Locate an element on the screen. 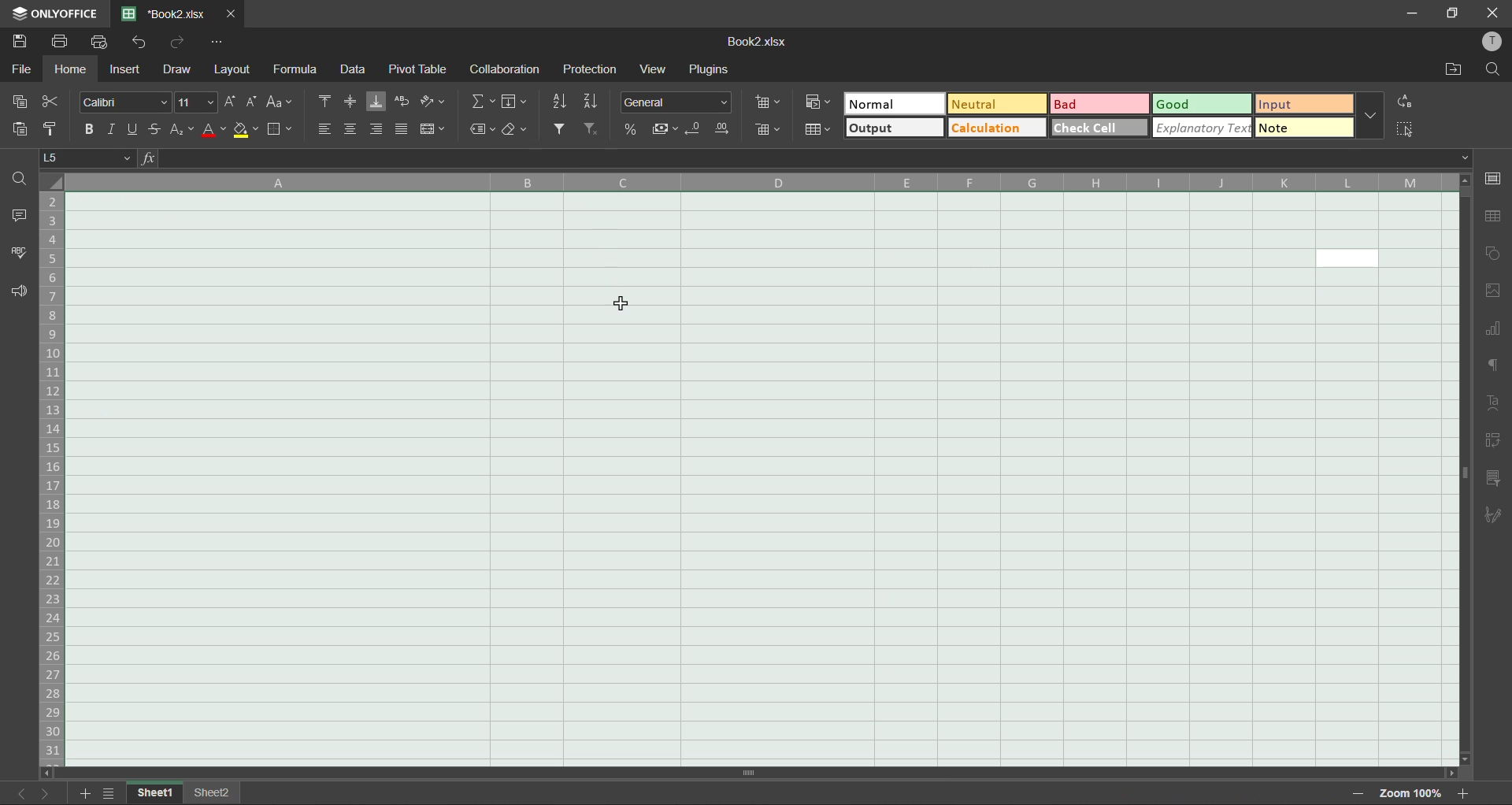 This screenshot has width=1512, height=805. replace is located at coordinates (1410, 101).